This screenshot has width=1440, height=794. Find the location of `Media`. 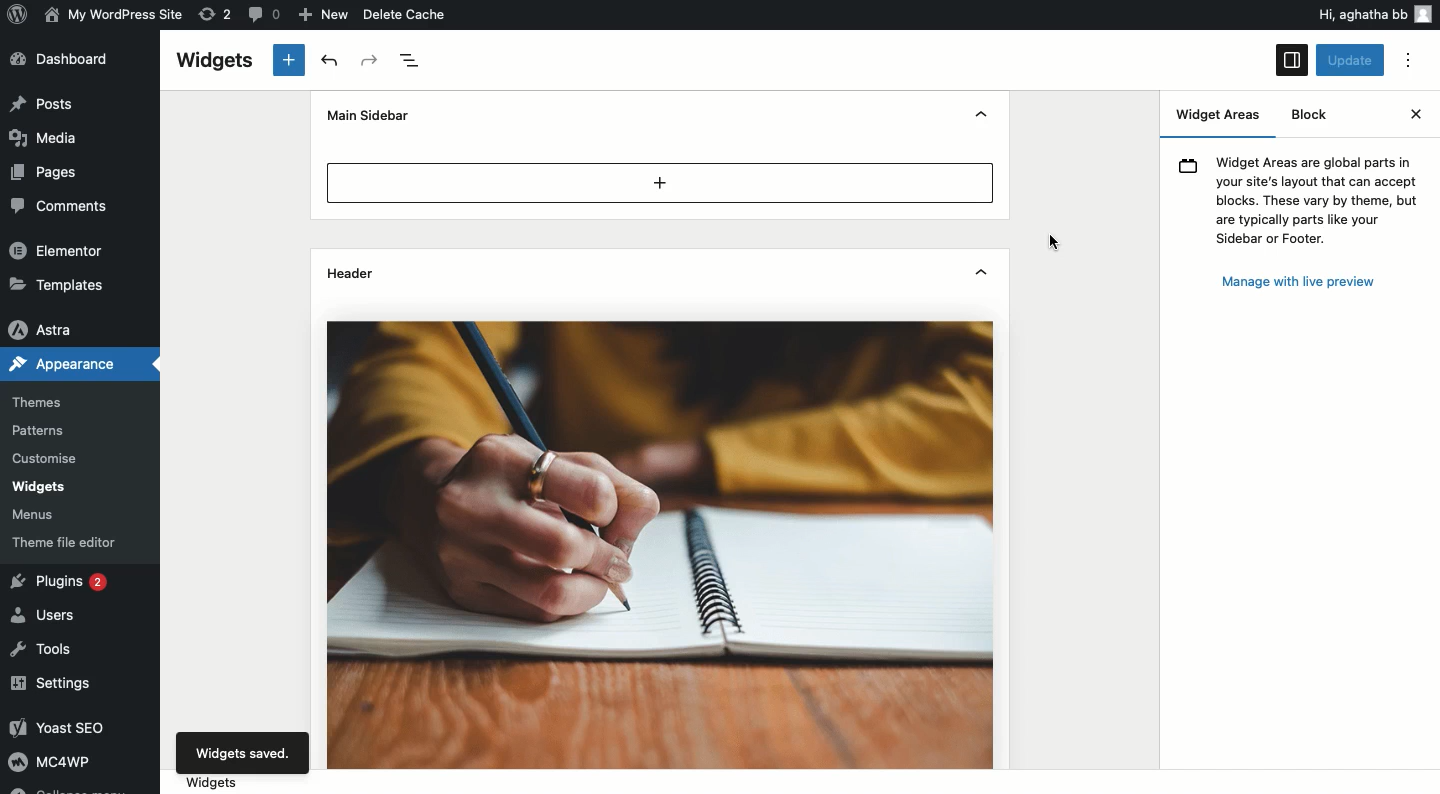

Media is located at coordinates (46, 136).